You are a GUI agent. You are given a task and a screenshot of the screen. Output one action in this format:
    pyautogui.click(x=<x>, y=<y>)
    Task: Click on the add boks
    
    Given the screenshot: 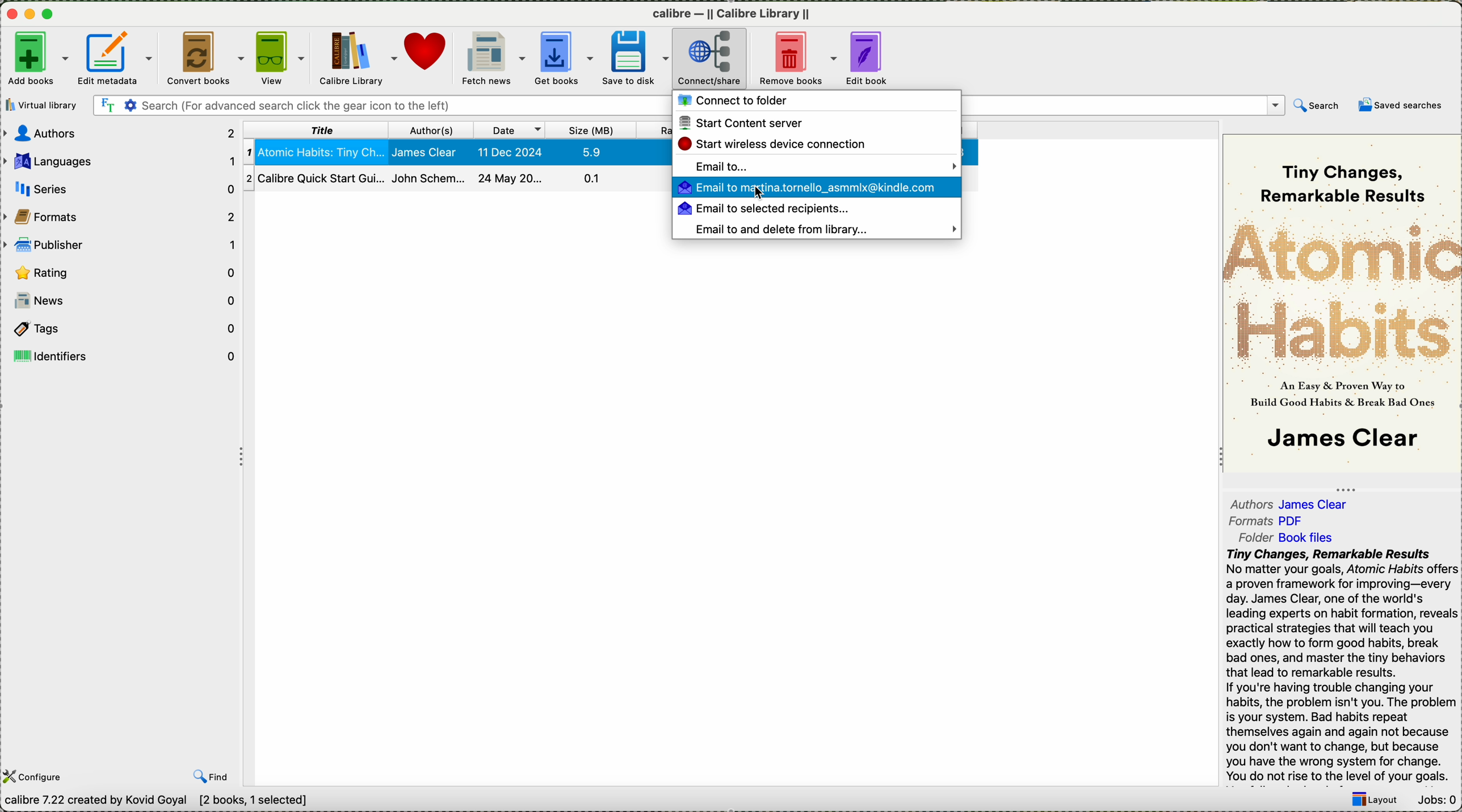 What is the action you would take?
    pyautogui.click(x=39, y=59)
    